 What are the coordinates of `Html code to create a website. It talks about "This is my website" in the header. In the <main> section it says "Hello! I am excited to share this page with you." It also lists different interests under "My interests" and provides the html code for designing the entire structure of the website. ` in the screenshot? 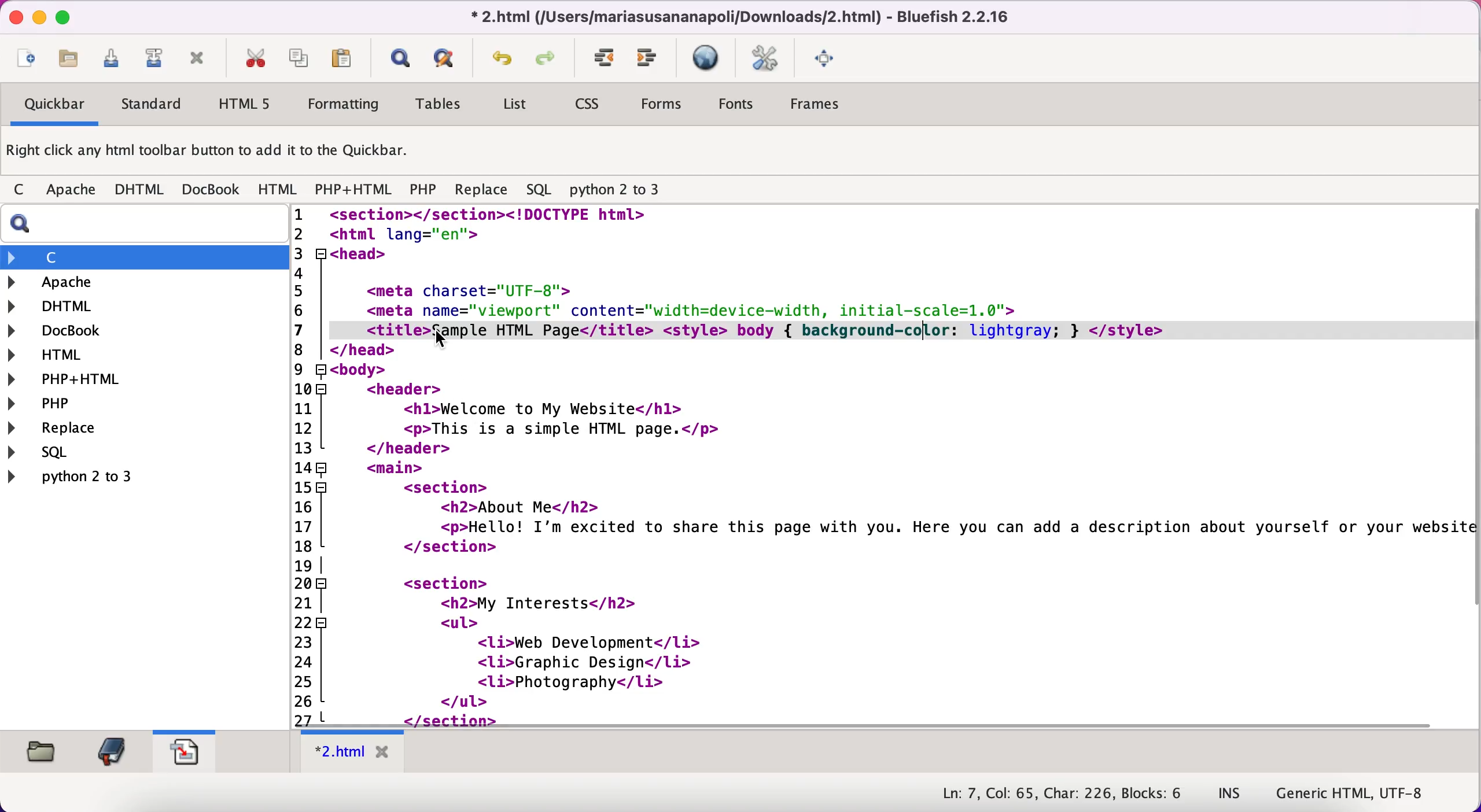 It's located at (904, 466).